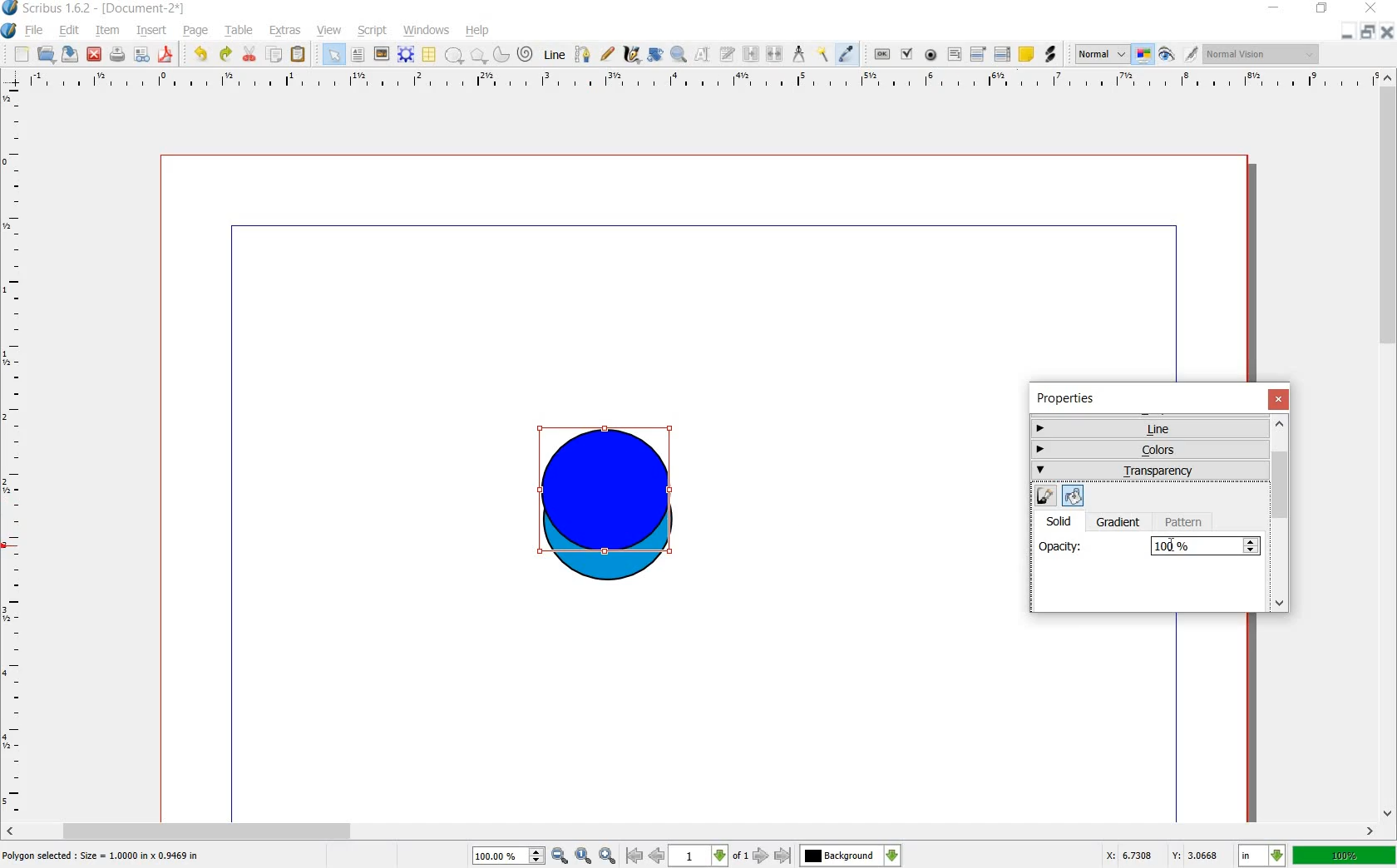  What do you see at coordinates (1119, 523) in the screenshot?
I see `gradient` at bounding box center [1119, 523].